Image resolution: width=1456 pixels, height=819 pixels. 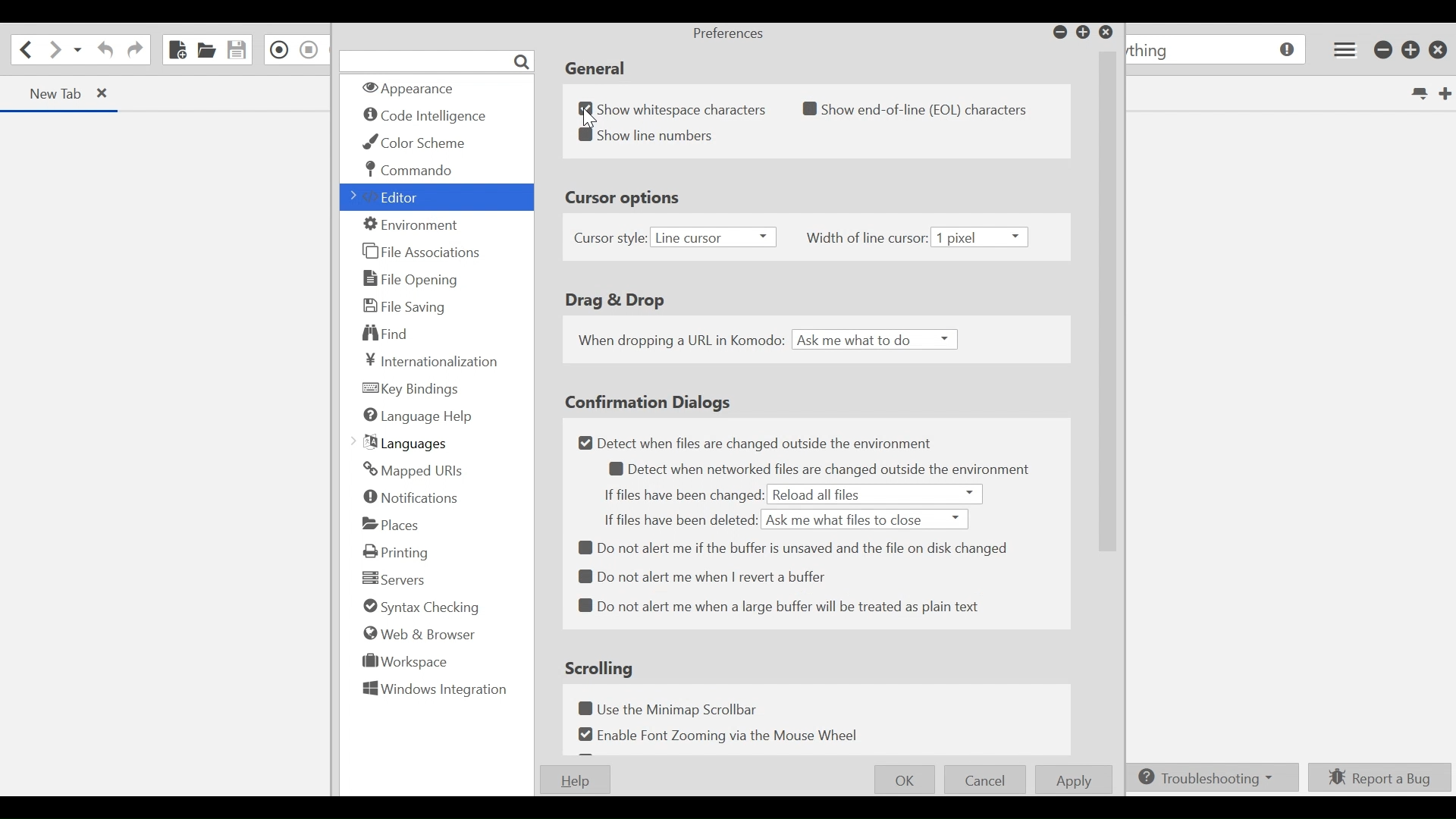 I want to click on minimize, so click(x=1384, y=50).